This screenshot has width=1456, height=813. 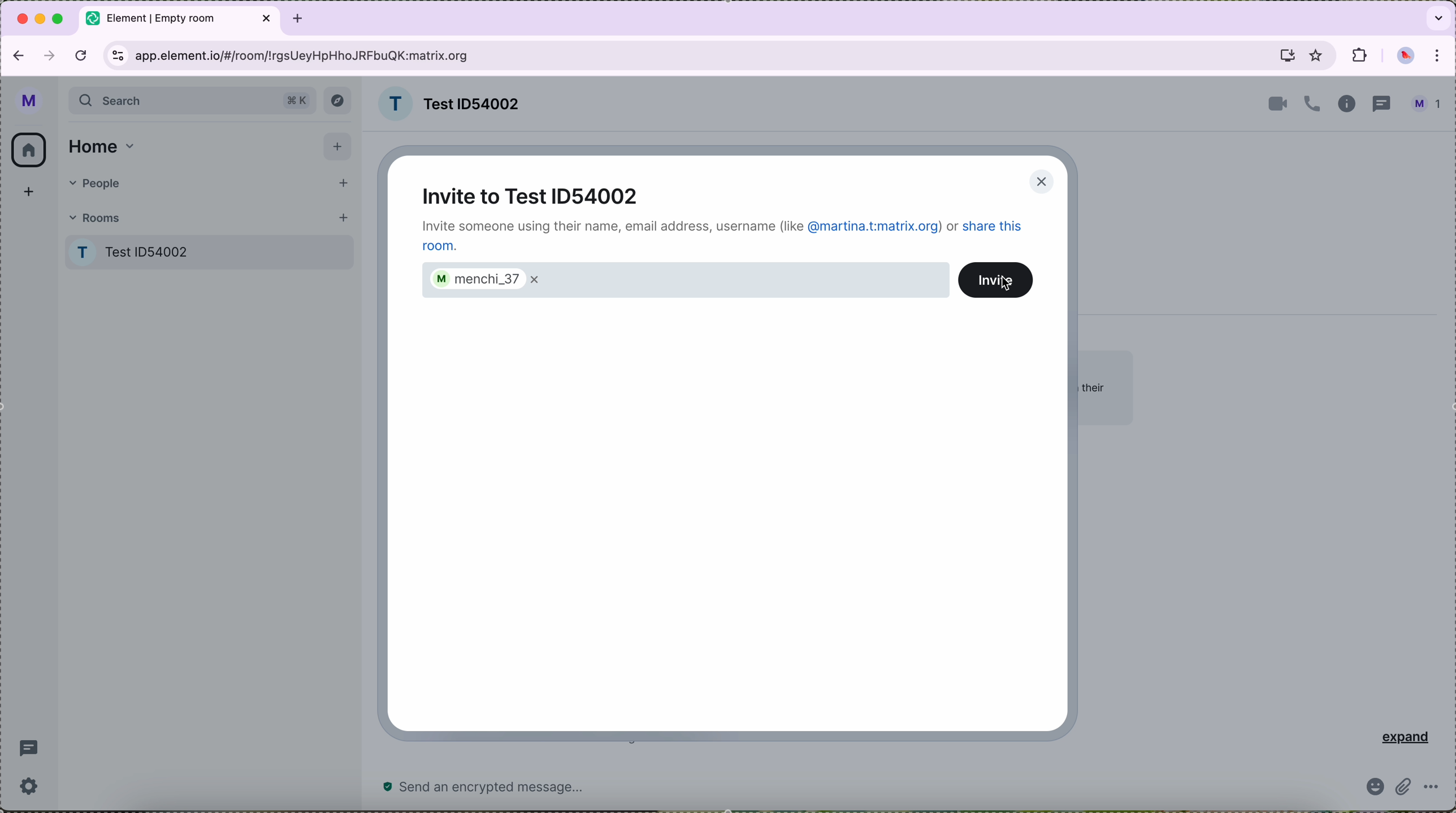 What do you see at coordinates (1285, 58) in the screenshot?
I see `screen` at bounding box center [1285, 58].